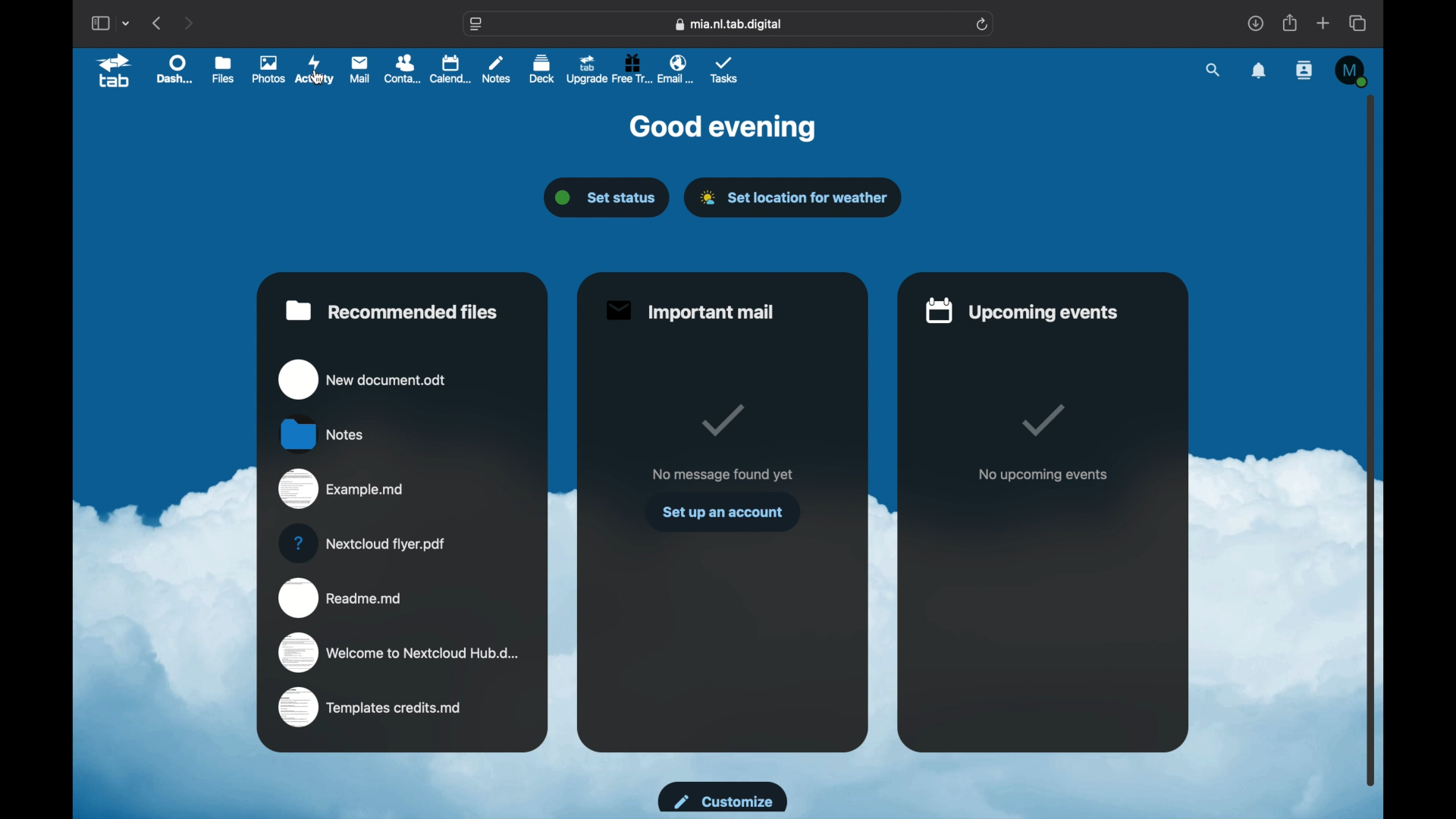  Describe the element at coordinates (190, 24) in the screenshot. I see `next` at that location.